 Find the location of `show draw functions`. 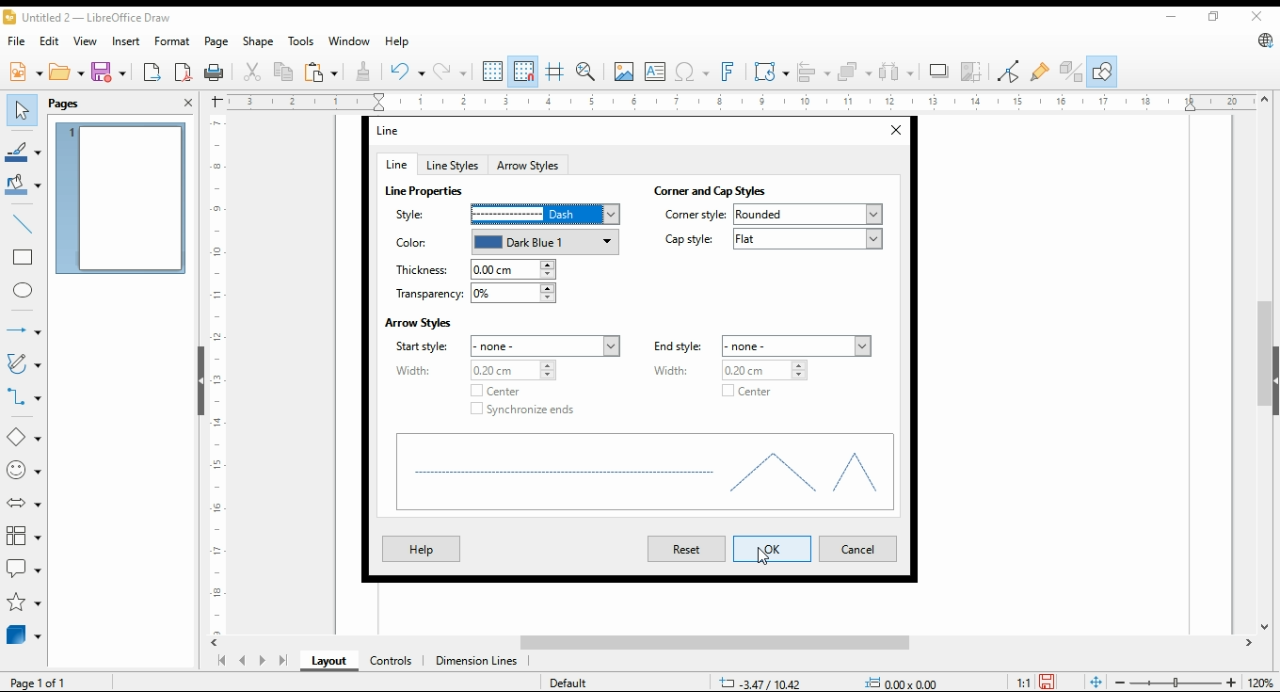

show draw functions is located at coordinates (1100, 72).